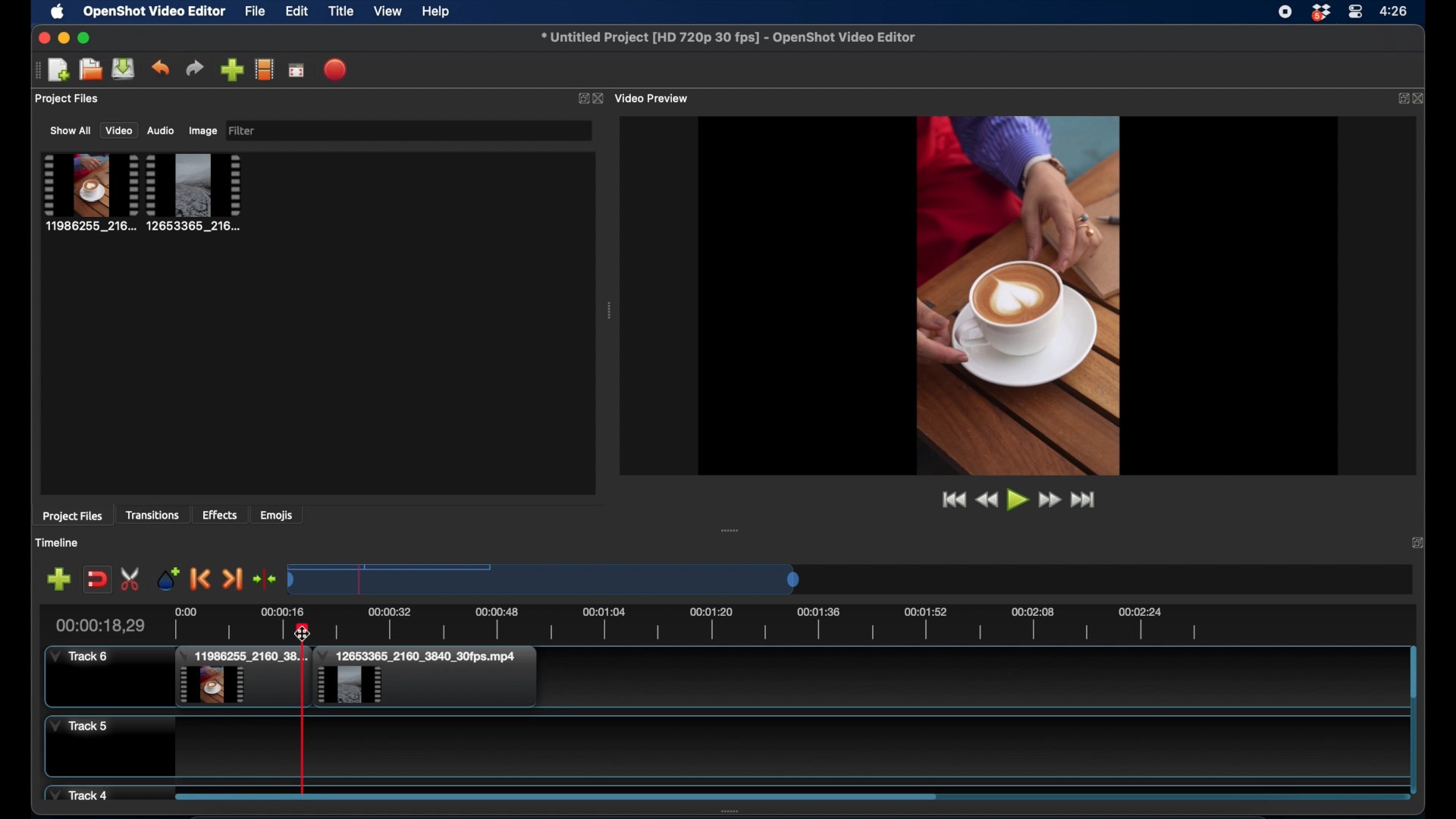 This screenshot has height=819, width=1456. What do you see at coordinates (241, 678) in the screenshot?
I see `clip` at bounding box center [241, 678].